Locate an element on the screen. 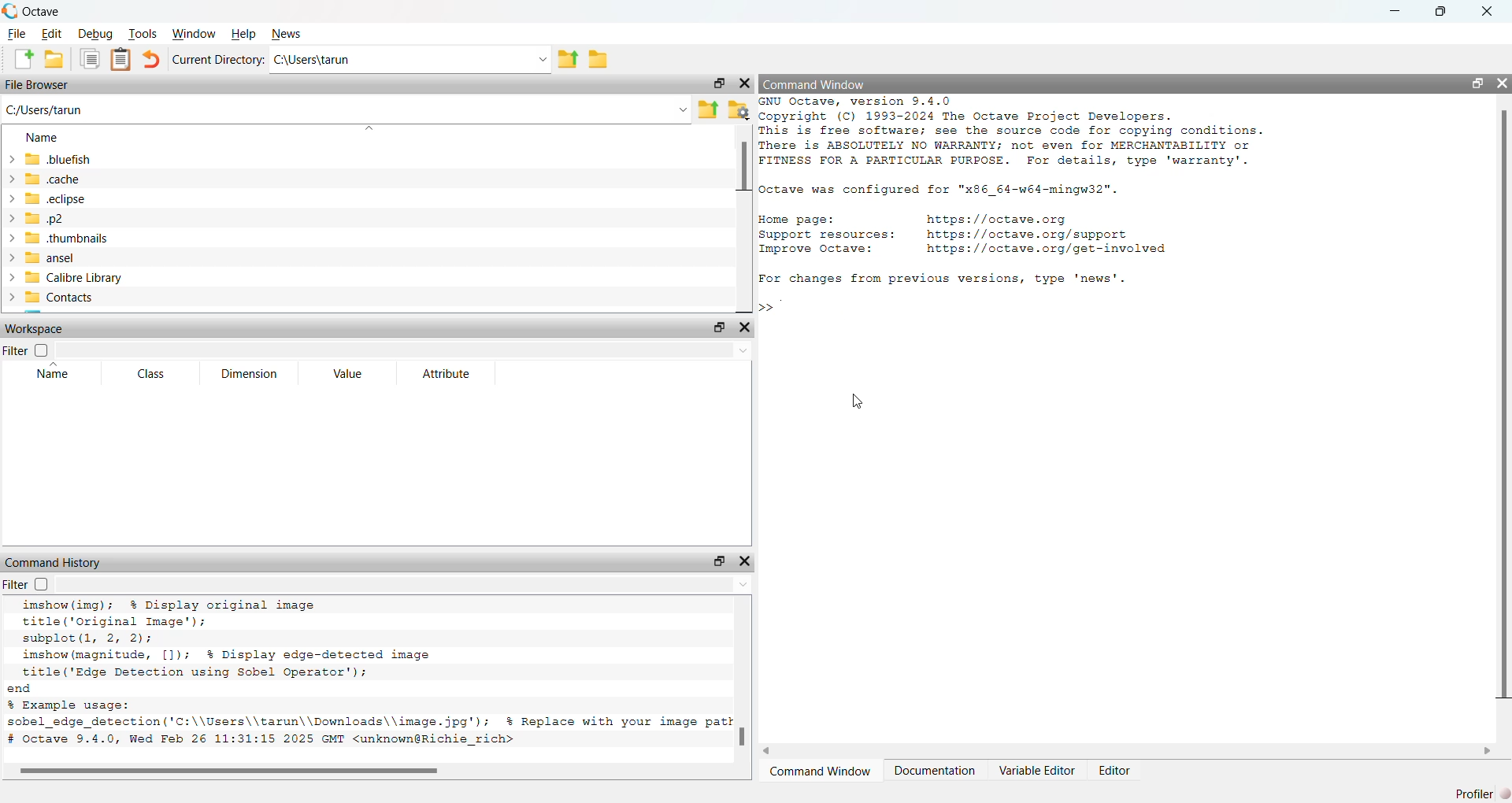  Value is located at coordinates (351, 374).